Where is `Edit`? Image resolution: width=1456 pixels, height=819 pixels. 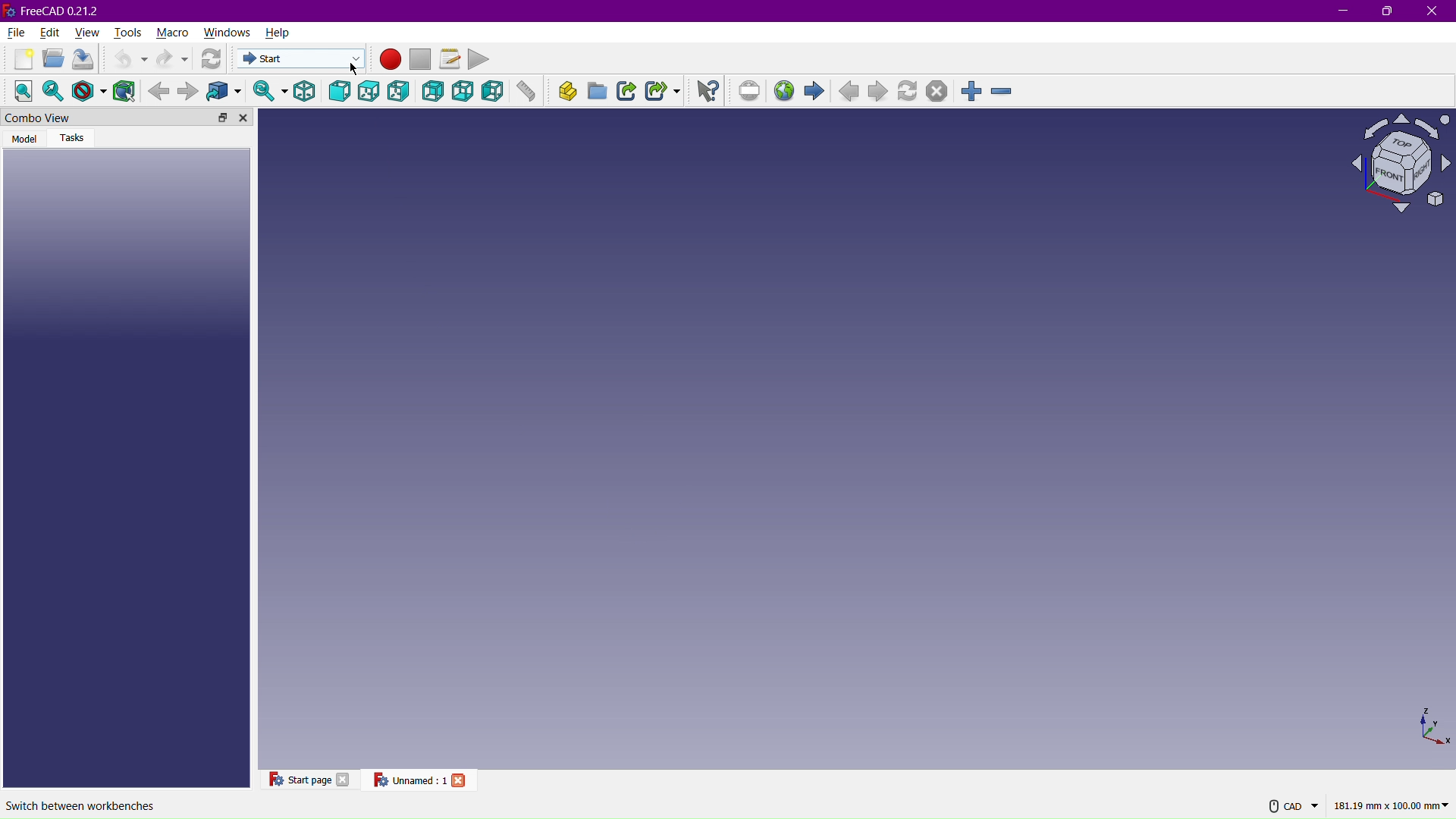 Edit is located at coordinates (51, 30).